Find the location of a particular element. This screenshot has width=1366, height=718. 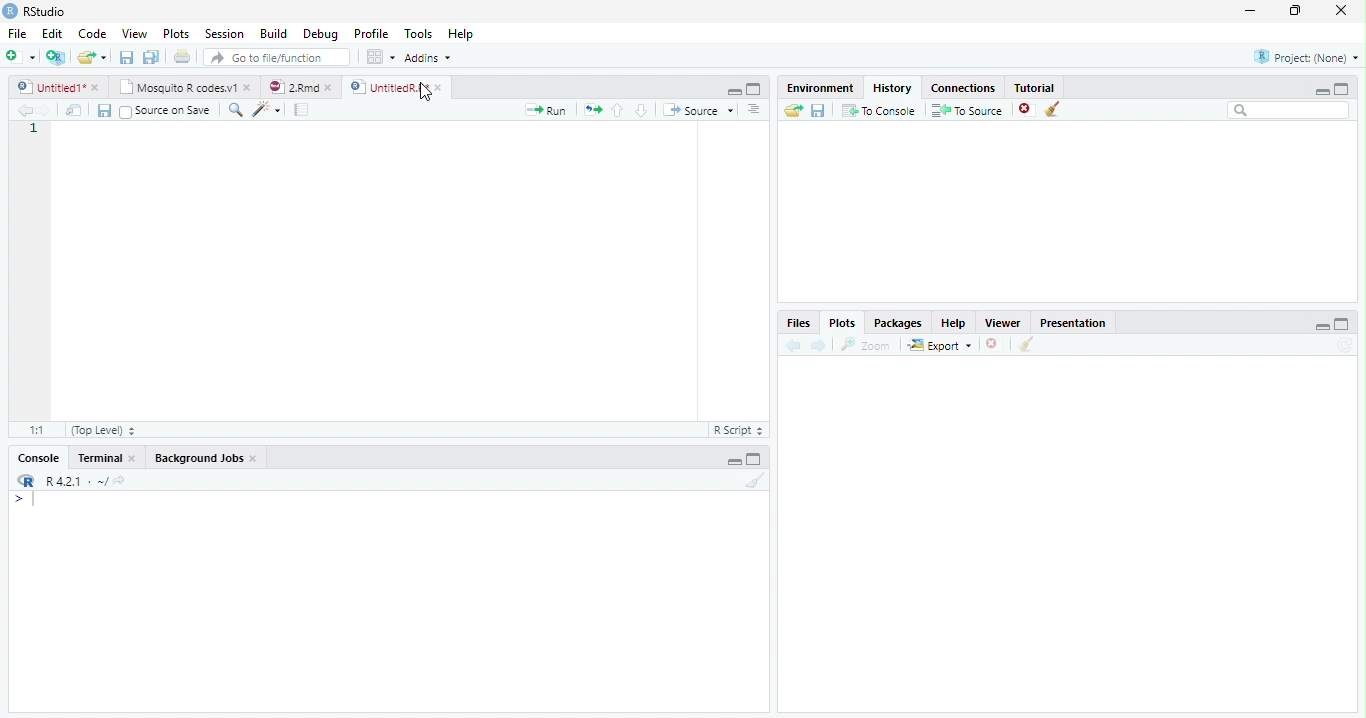

Save workspace as  is located at coordinates (821, 111).